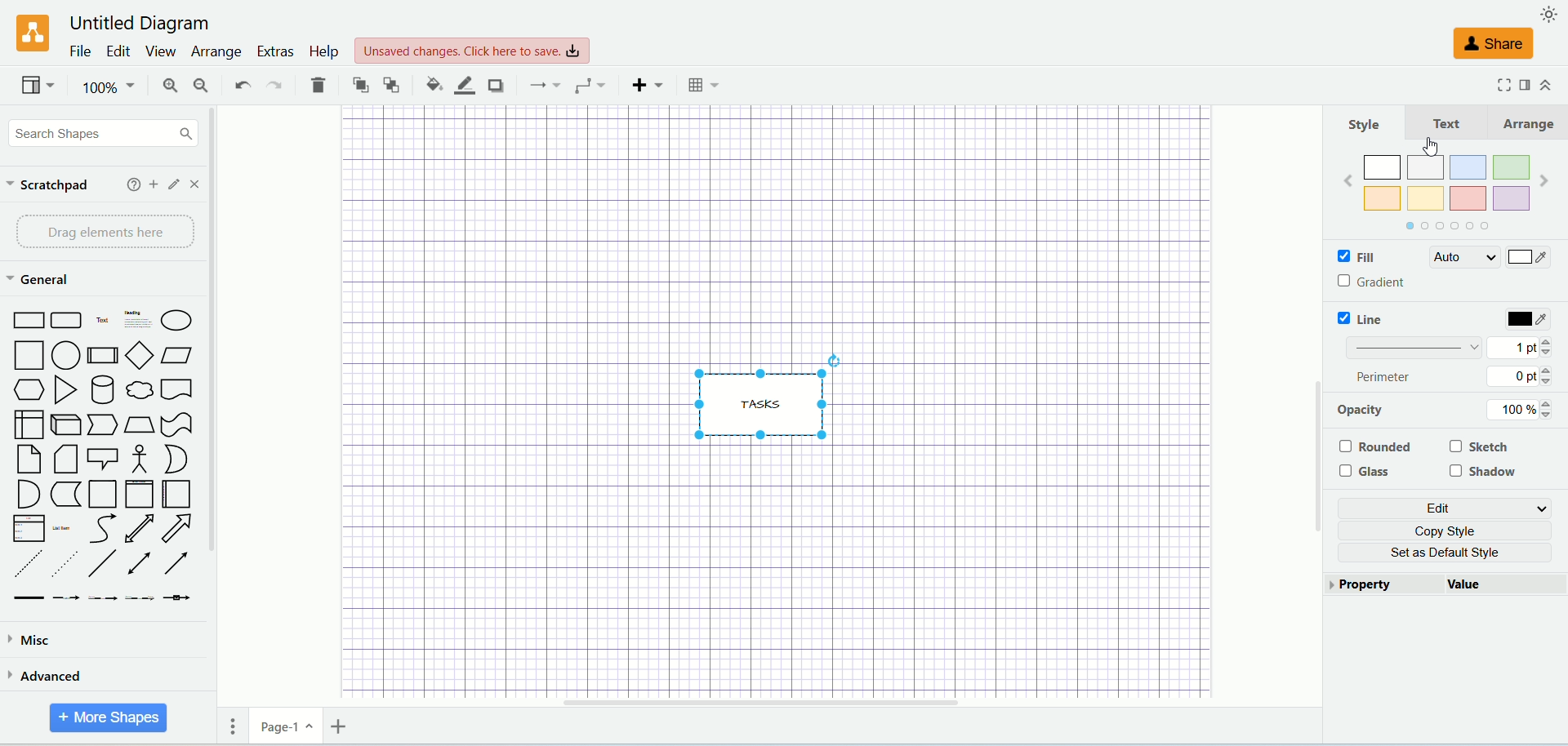 The image size is (1568, 746). What do you see at coordinates (494, 85) in the screenshot?
I see `shadow` at bounding box center [494, 85].